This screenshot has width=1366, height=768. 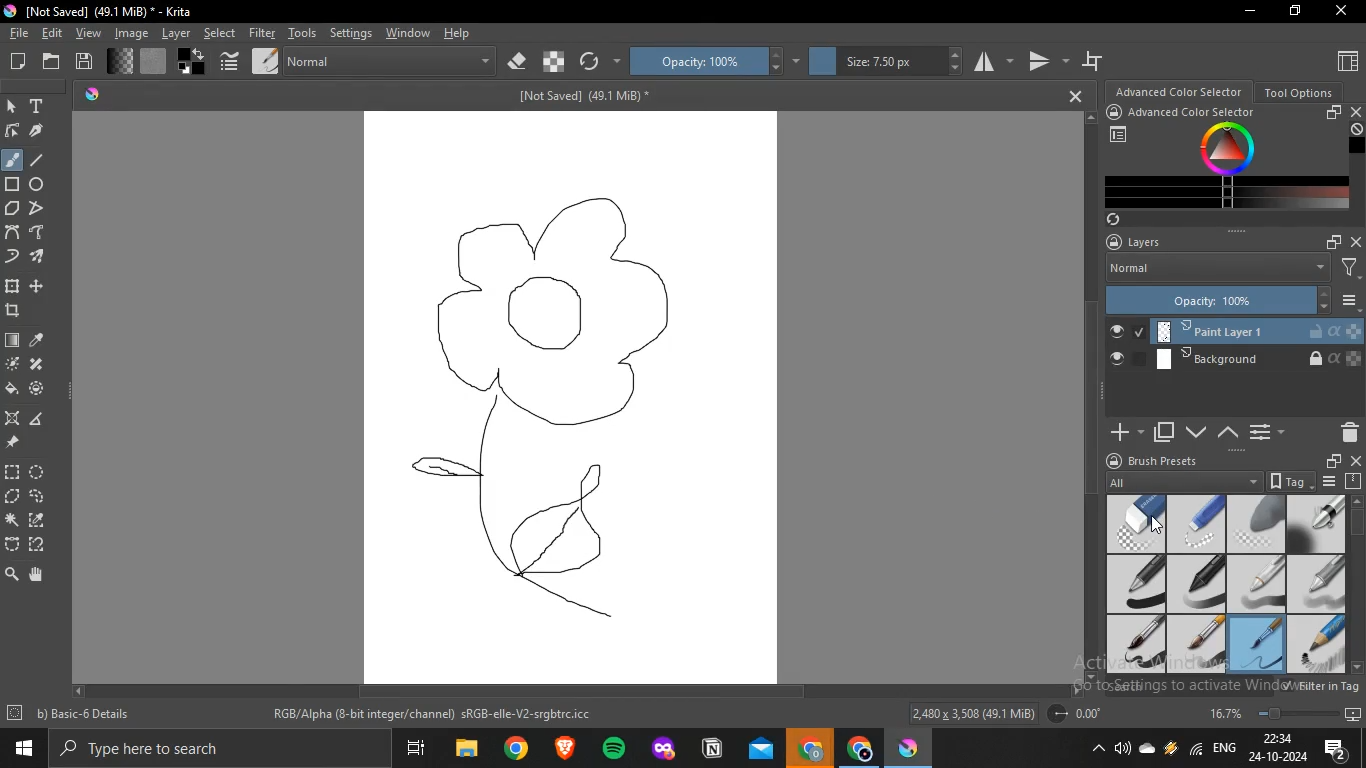 What do you see at coordinates (1230, 148) in the screenshot?
I see `Colors` at bounding box center [1230, 148].